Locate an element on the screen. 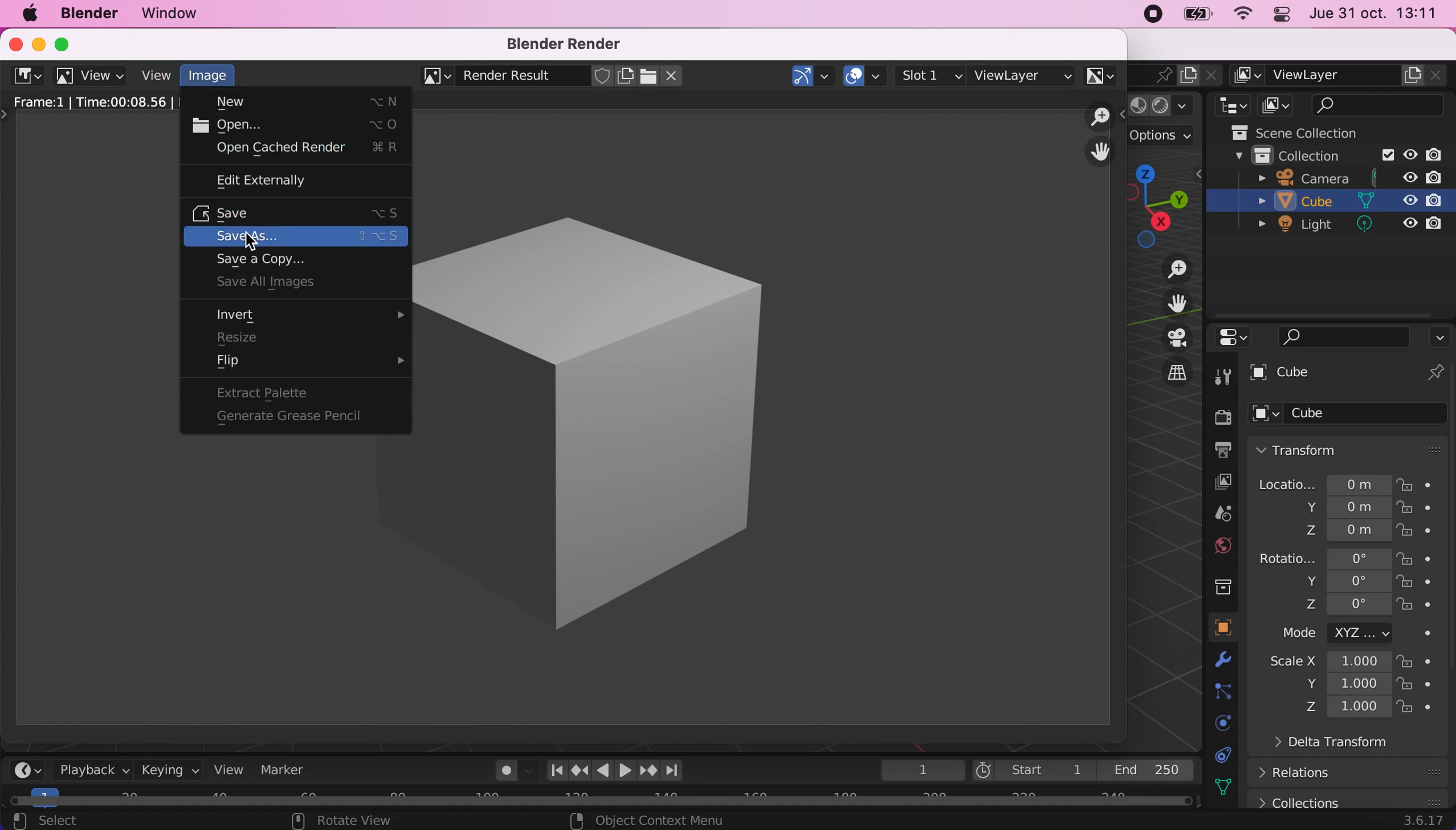 The image size is (1456, 830). start 1 is located at coordinates (1033, 770).